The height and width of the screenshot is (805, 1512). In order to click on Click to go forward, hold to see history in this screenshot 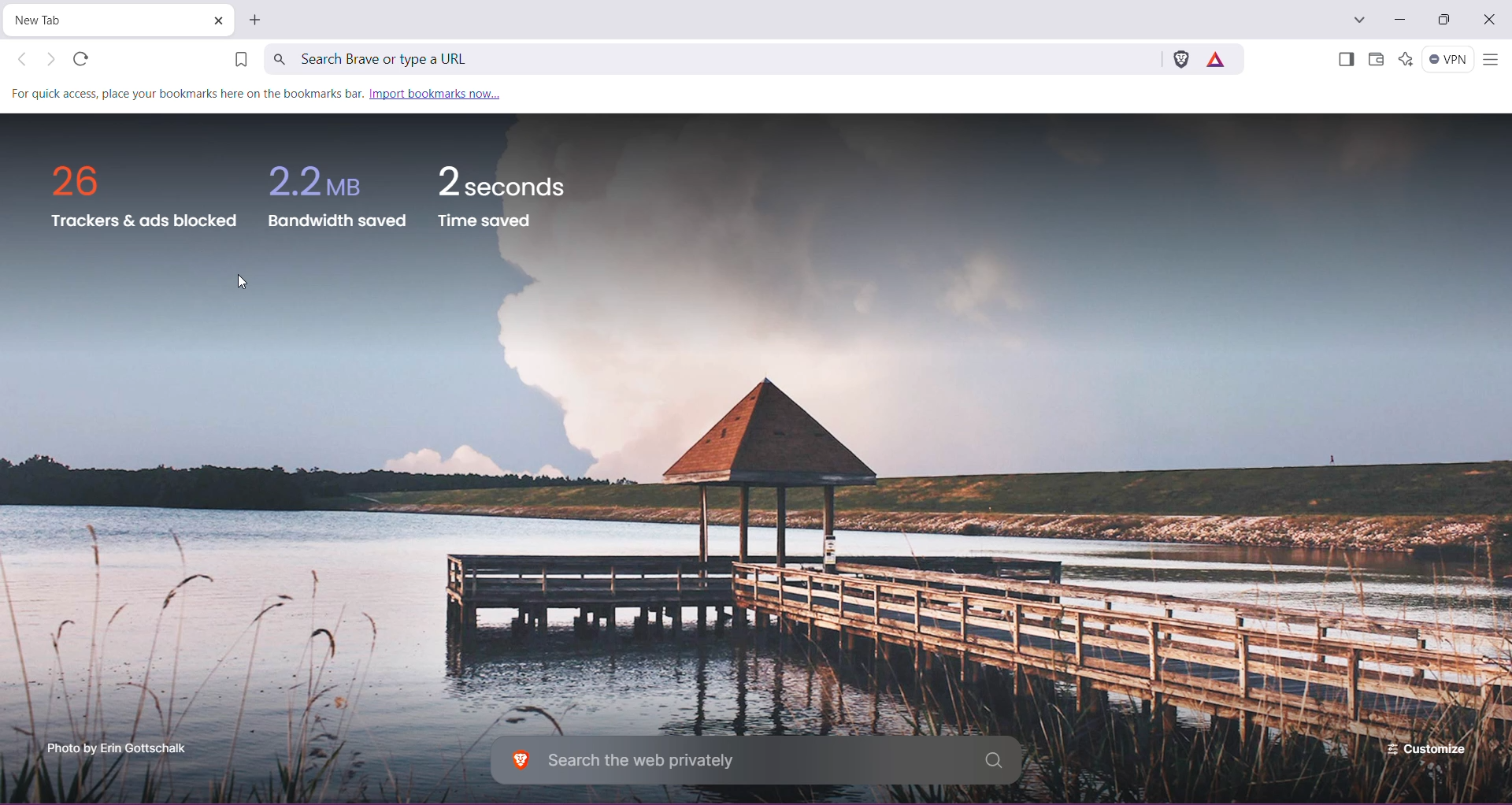, I will do `click(51, 59)`.